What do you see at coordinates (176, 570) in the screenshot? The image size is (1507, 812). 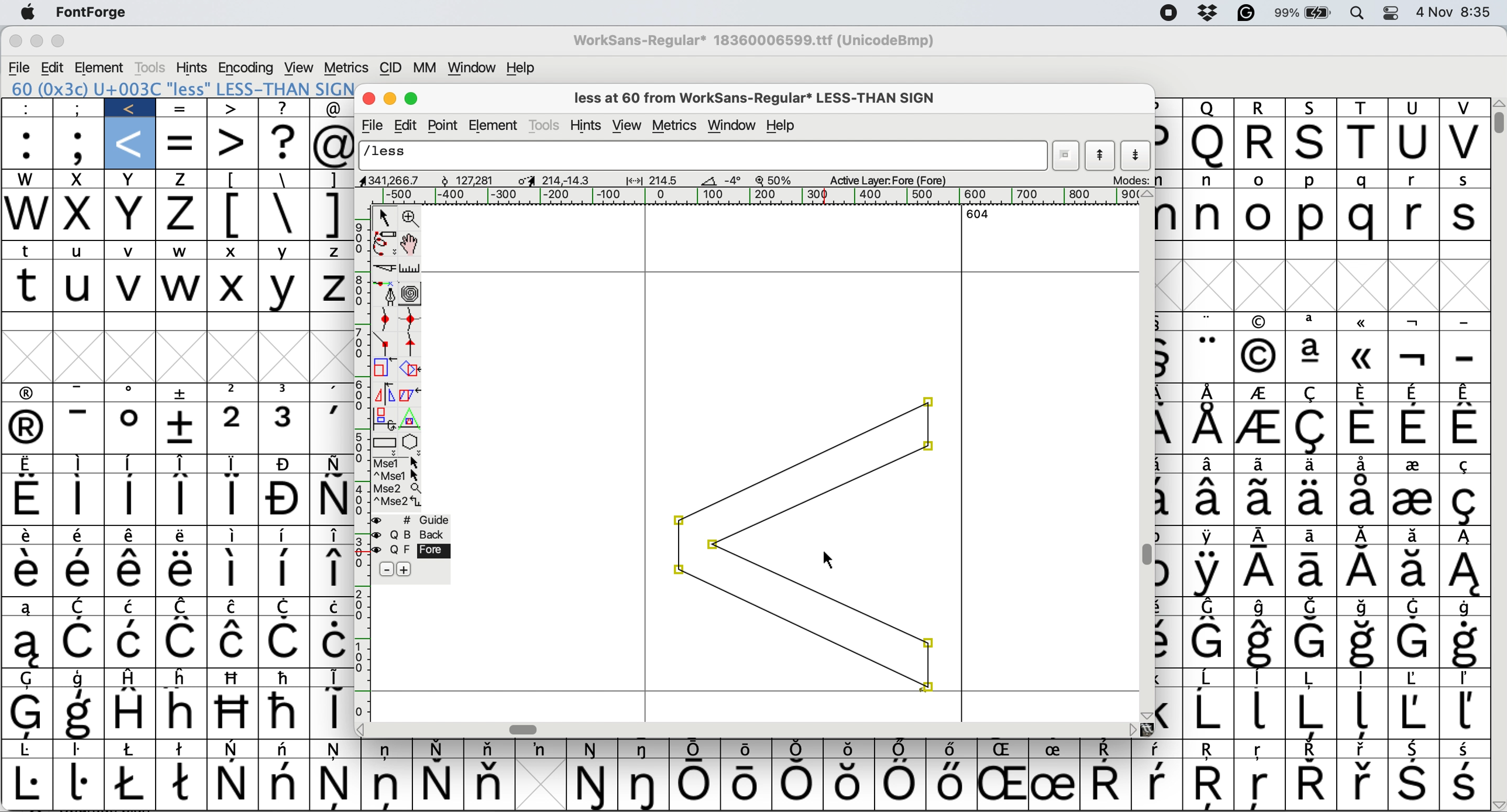 I see `Symbol` at bounding box center [176, 570].